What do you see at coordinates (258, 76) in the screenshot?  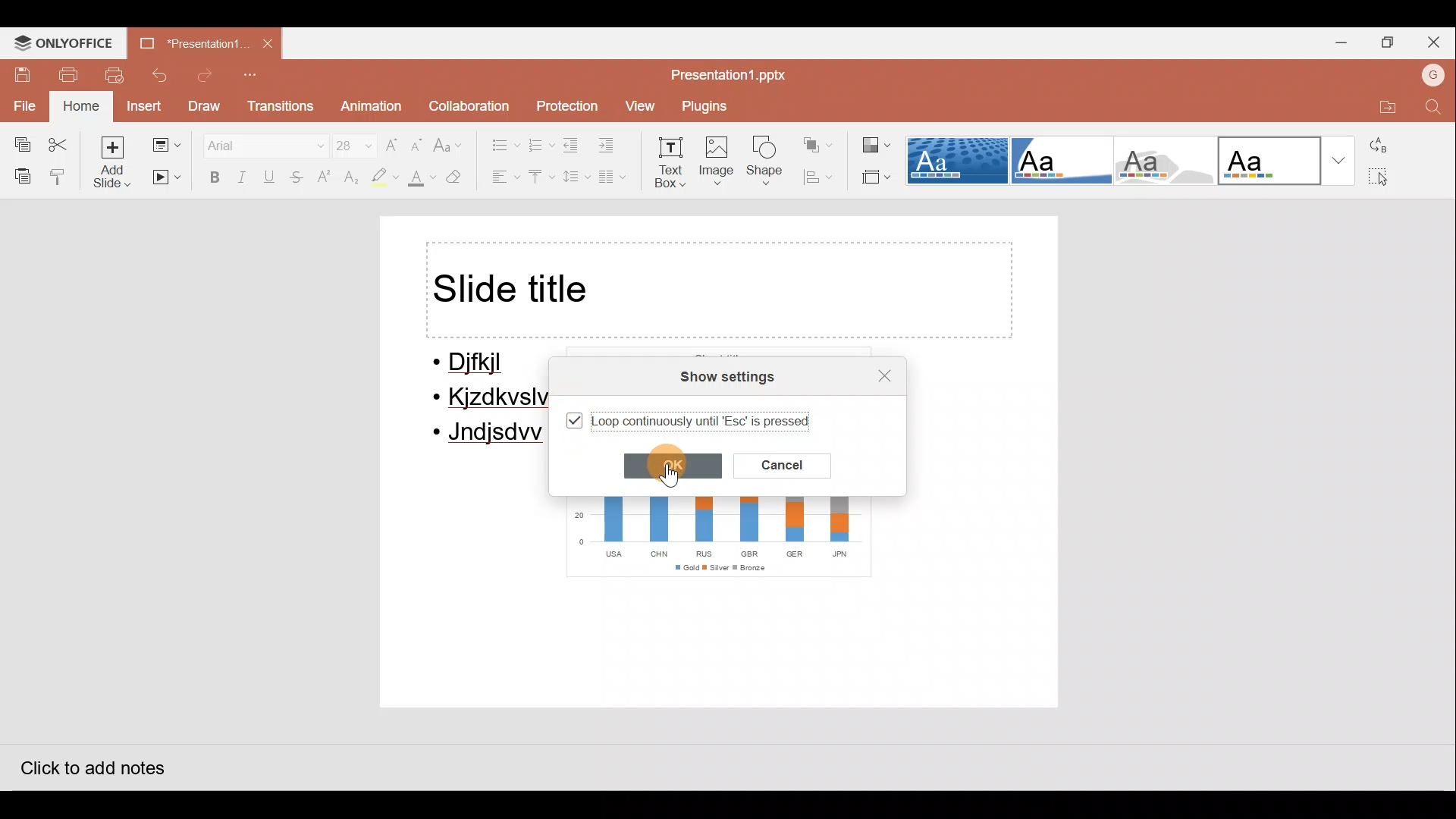 I see `Customize quick access toolbar` at bounding box center [258, 76].